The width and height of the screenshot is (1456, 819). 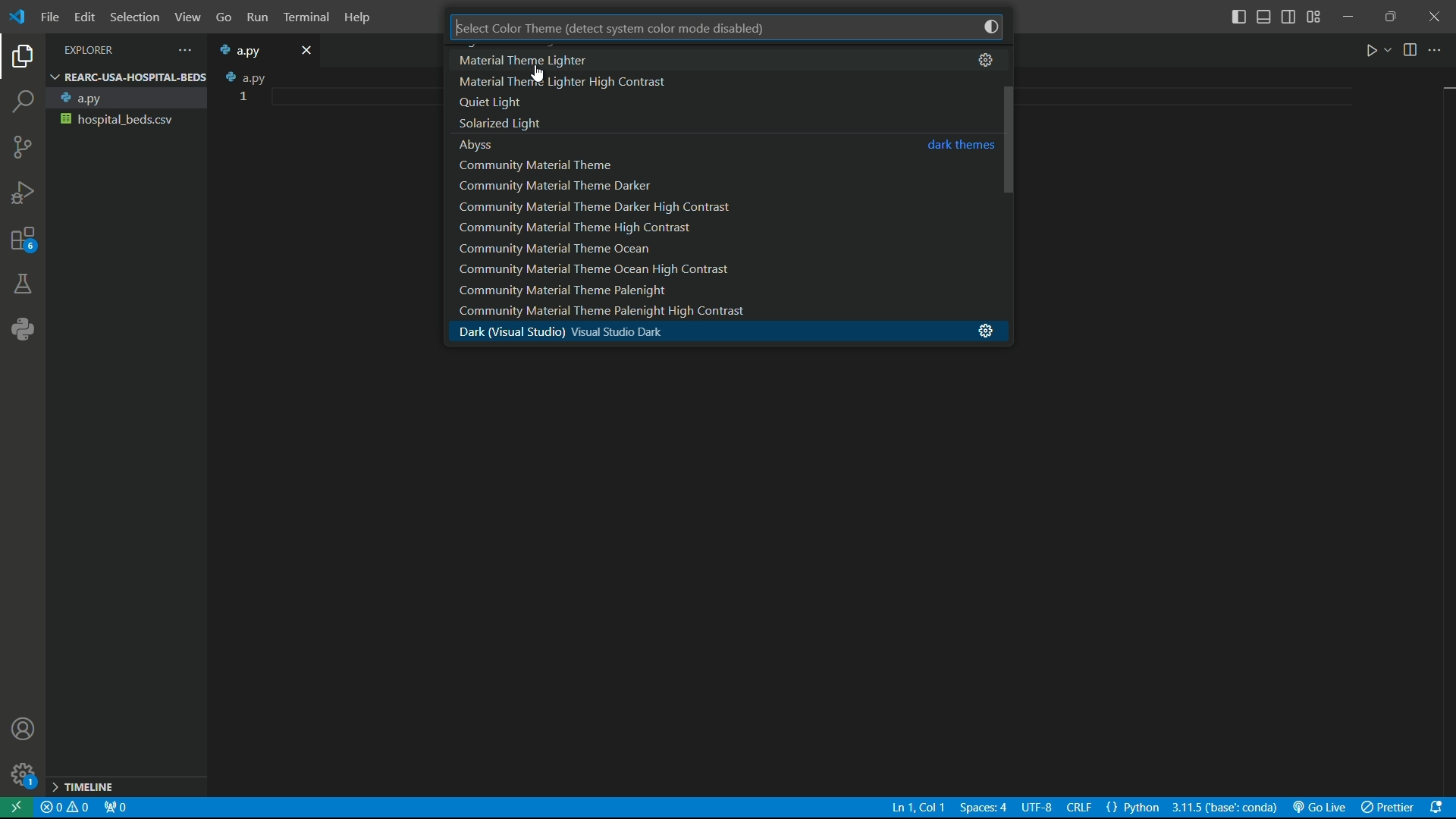 What do you see at coordinates (613, 268) in the screenshot?
I see `‘Community Material Theme Ocean High Contrast` at bounding box center [613, 268].